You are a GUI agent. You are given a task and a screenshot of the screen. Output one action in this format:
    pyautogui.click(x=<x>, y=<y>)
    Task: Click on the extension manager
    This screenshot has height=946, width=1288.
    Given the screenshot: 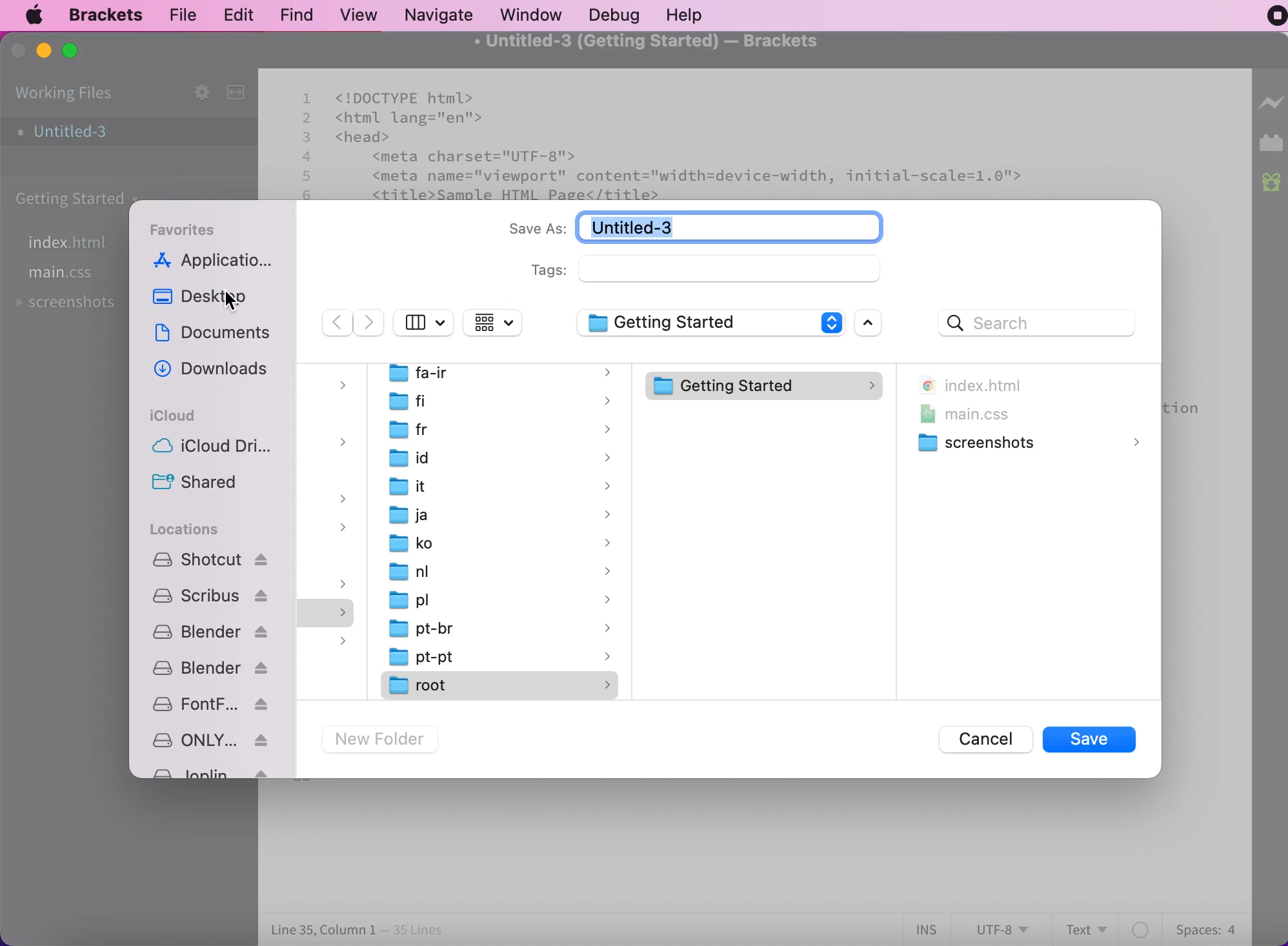 What is the action you would take?
    pyautogui.click(x=1271, y=142)
    